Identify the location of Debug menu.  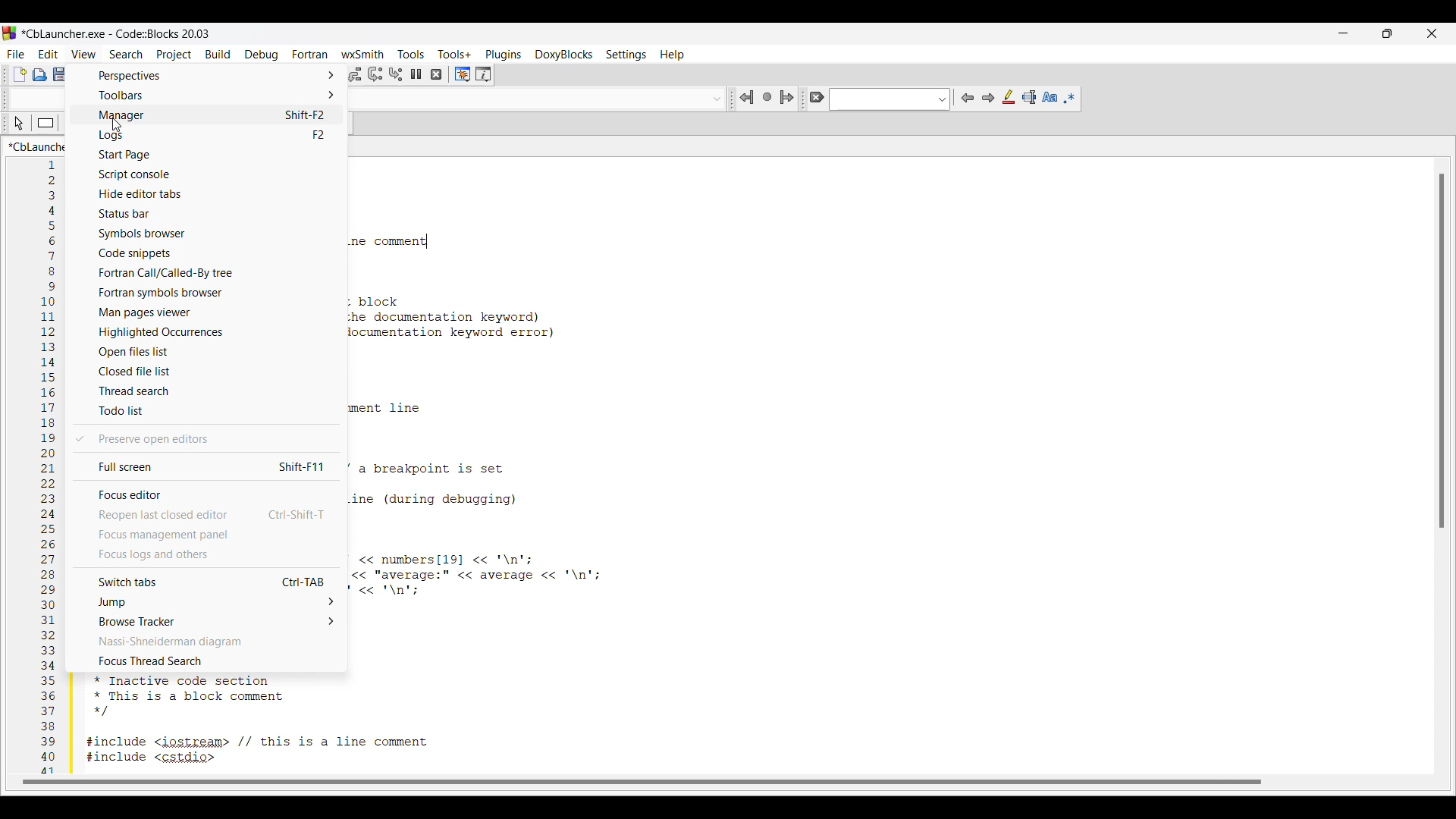
(262, 55).